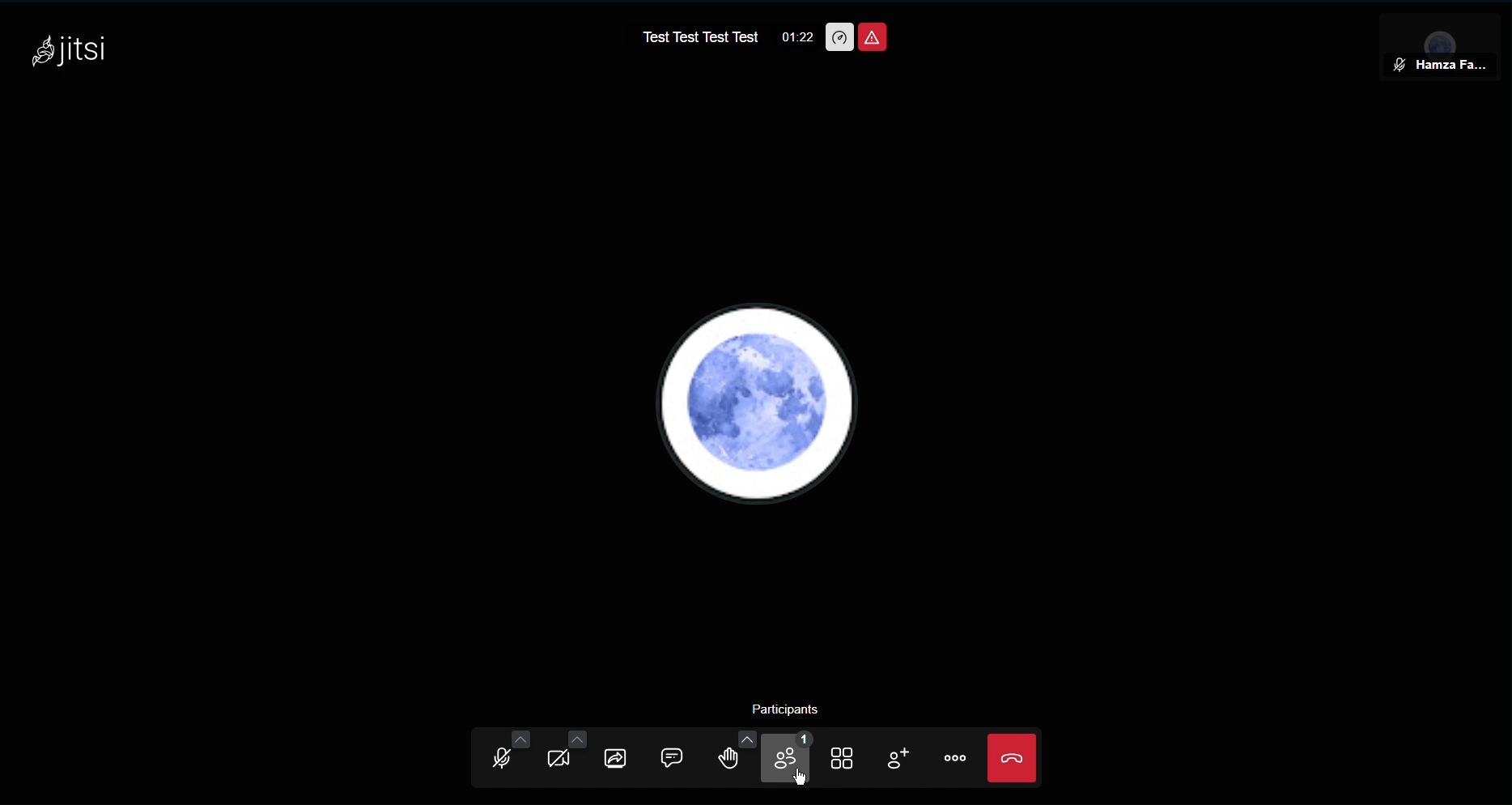 The height and width of the screenshot is (805, 1512). What do you see at coordinates (70, 54) in the screenshot?
I see `Jitsi` at bounding box center [70, 54].